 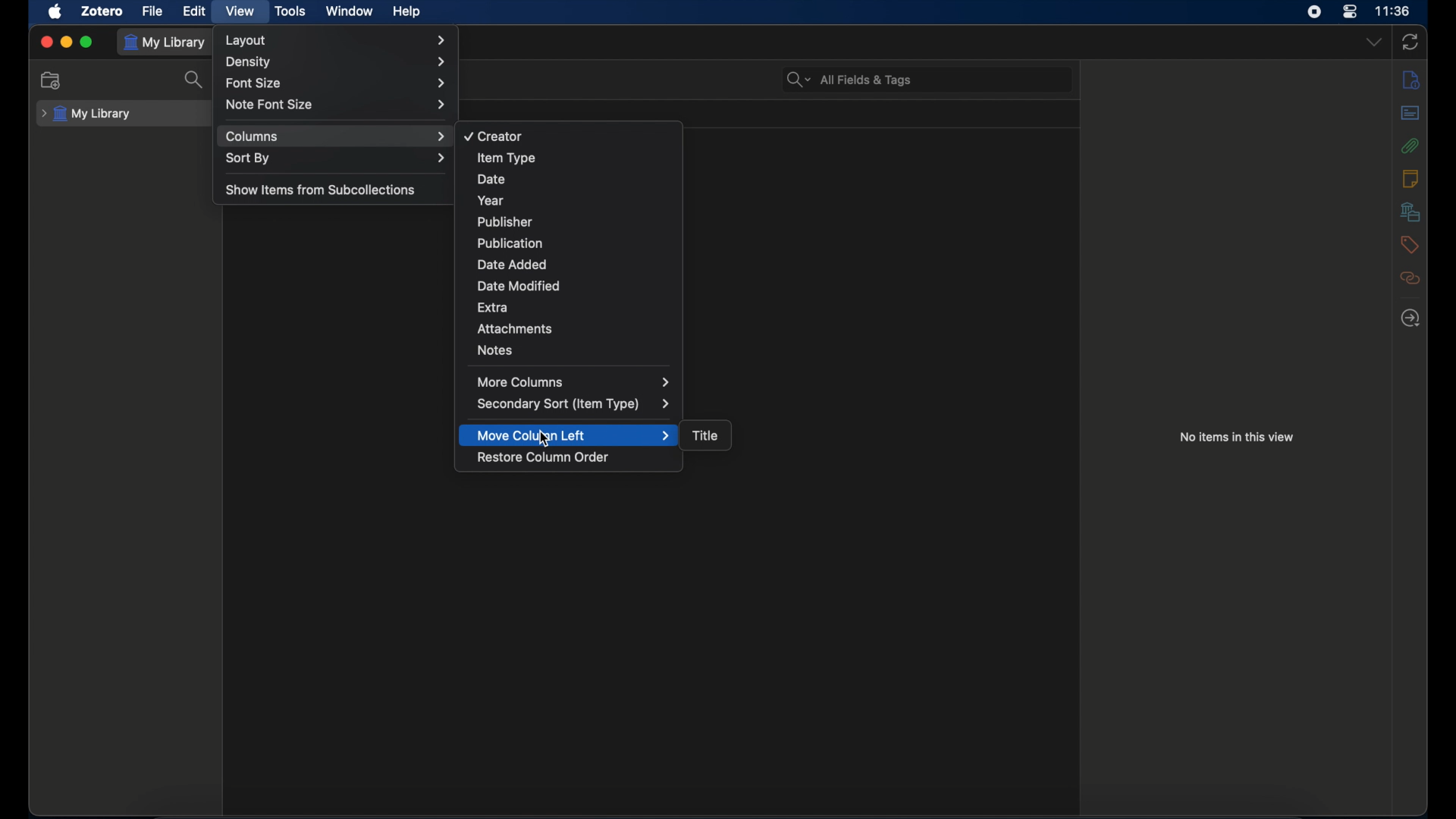 I want to click on my library, so click(x=86, y=115).